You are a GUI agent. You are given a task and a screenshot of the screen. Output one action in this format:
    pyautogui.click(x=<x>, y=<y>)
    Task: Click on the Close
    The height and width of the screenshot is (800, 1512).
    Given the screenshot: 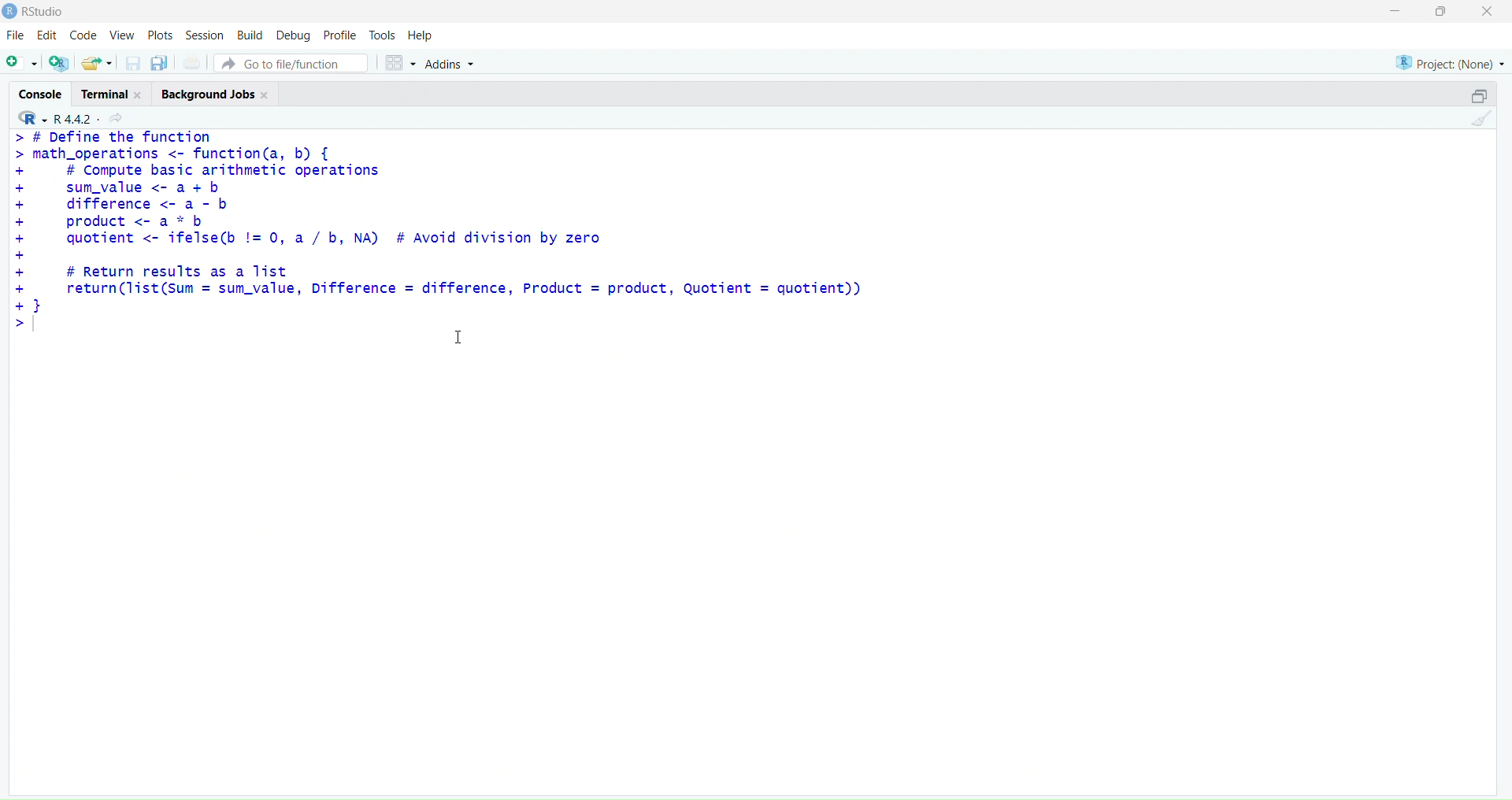 What is the action you would take?
    pyautogui.click(x=1484, y=12)
    